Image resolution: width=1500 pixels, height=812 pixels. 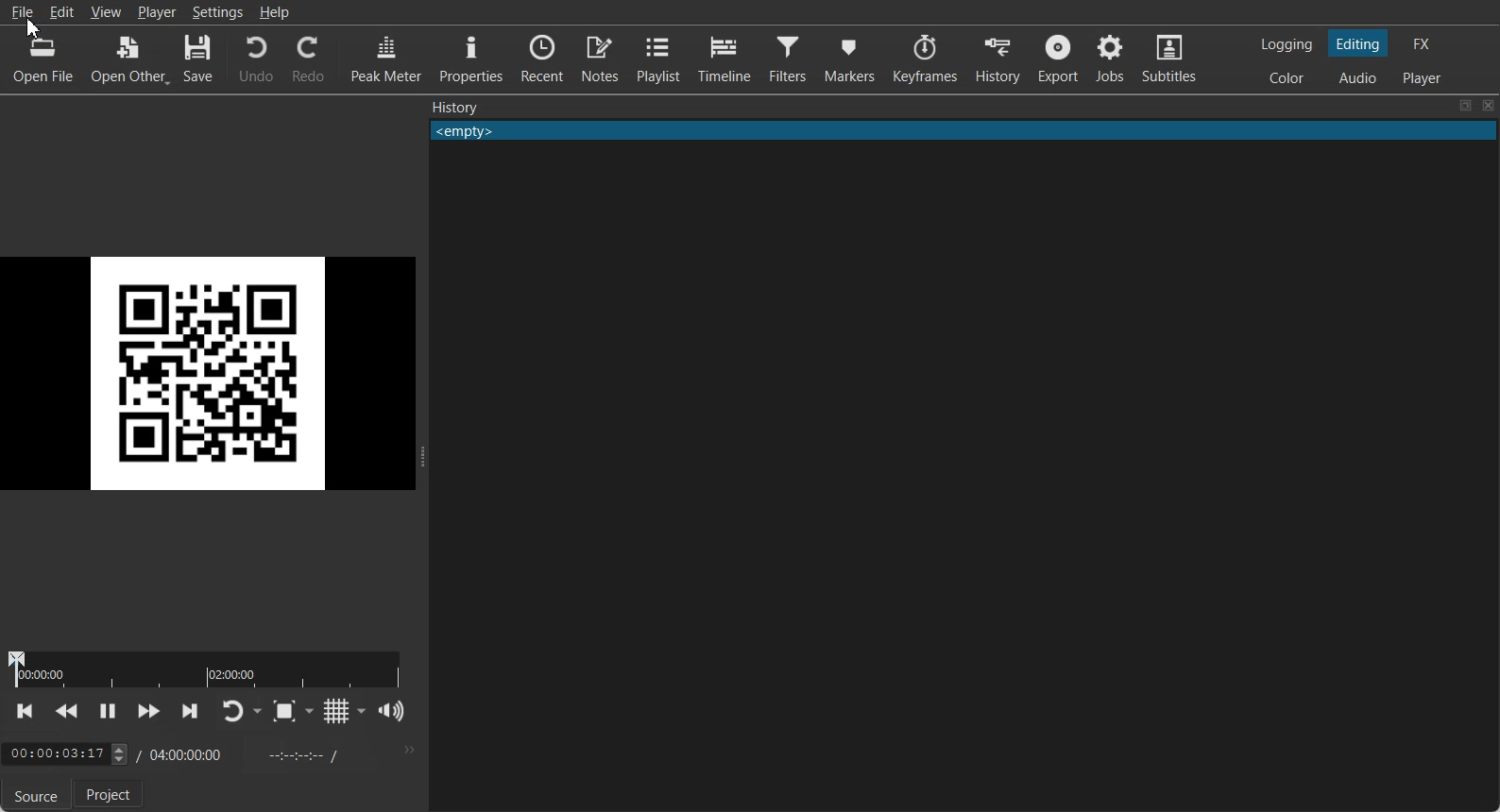 I want to click on Close, so click(x=1489, y=106).